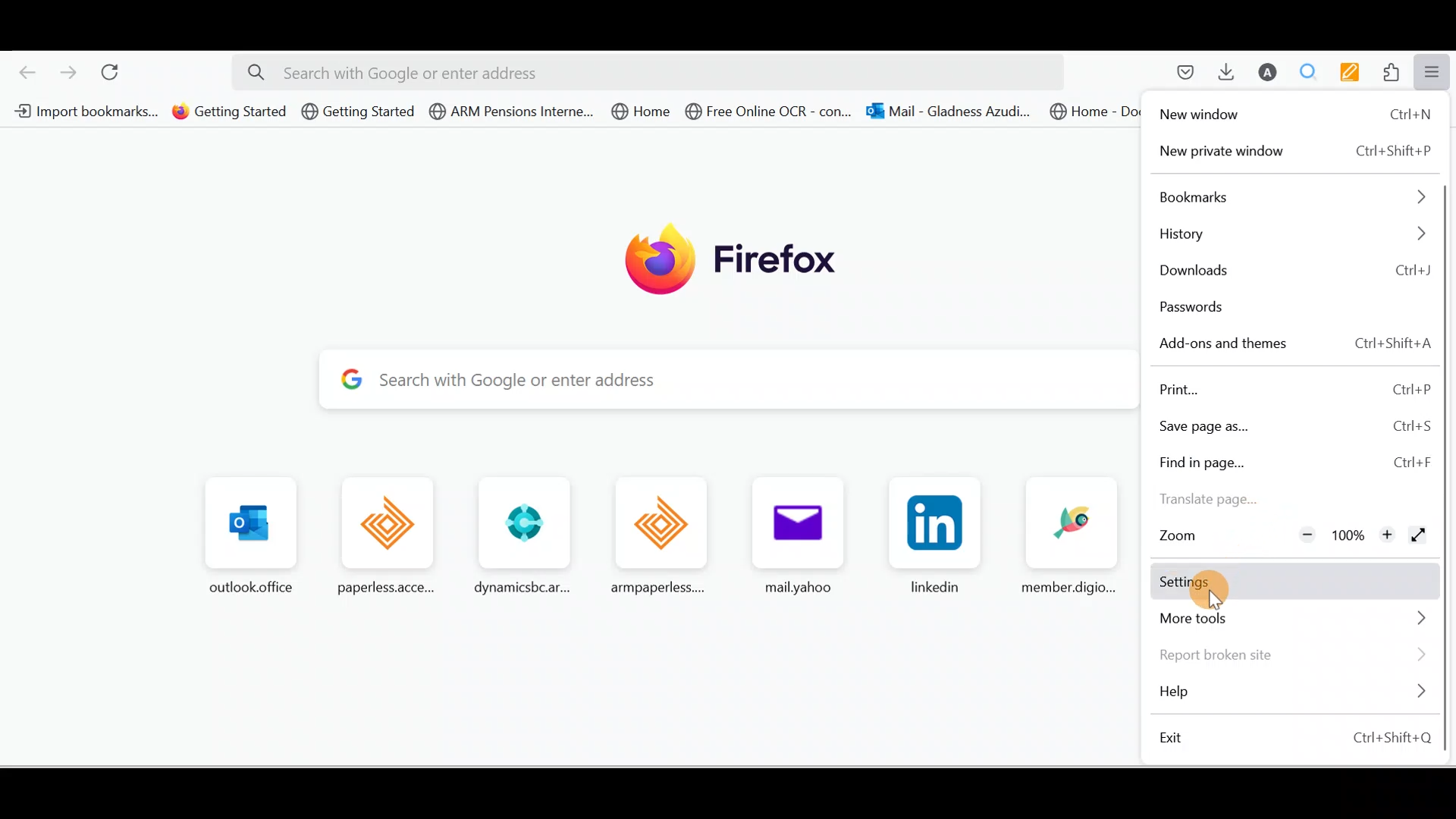  Describe the element at coordinates (1350, 532) in the screenshot. I see `100%` at that location.